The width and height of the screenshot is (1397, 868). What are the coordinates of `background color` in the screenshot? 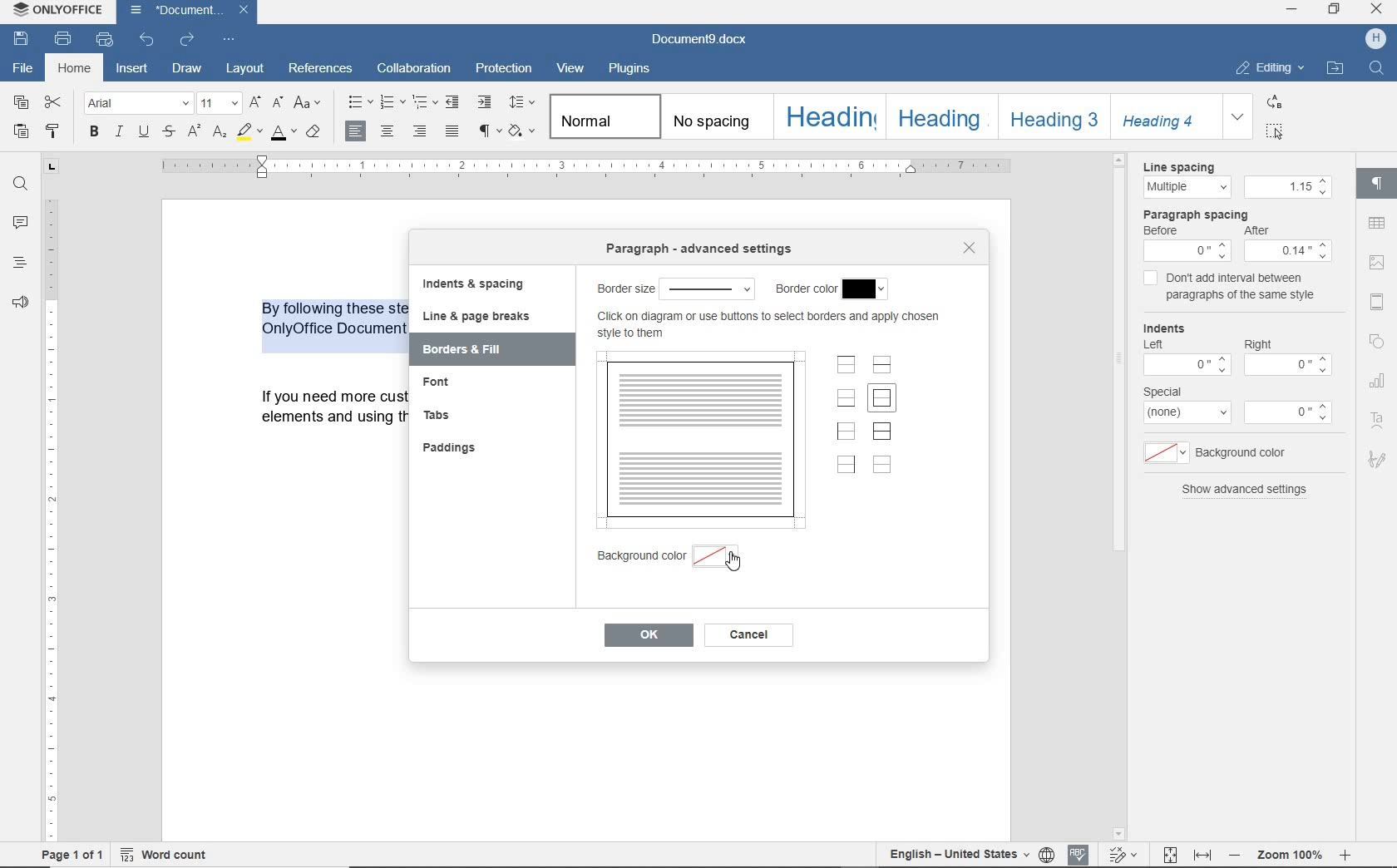 It's located at (638, 557).